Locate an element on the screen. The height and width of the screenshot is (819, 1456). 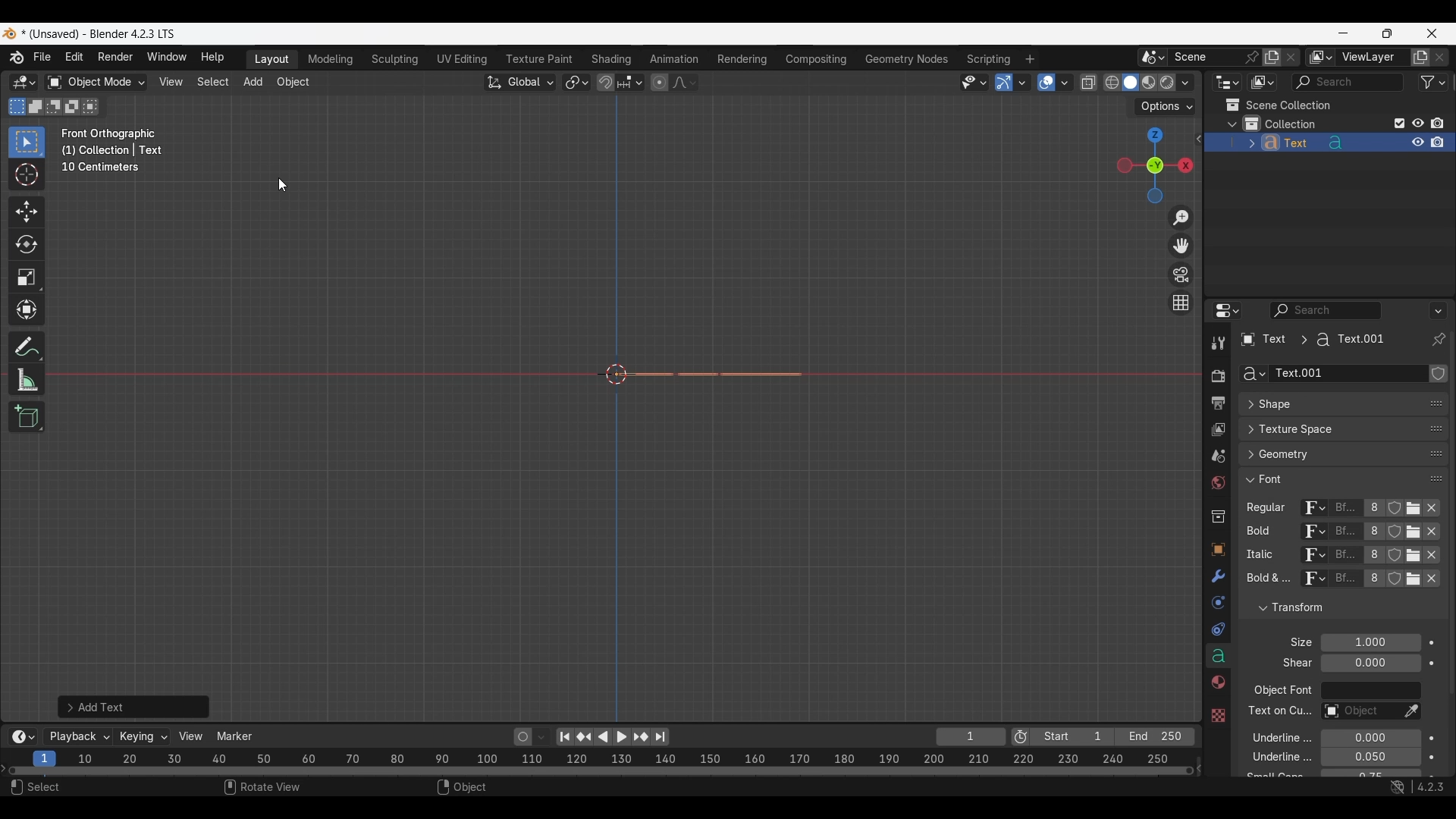
Change order in the list is located at coordinates (1436, 626).